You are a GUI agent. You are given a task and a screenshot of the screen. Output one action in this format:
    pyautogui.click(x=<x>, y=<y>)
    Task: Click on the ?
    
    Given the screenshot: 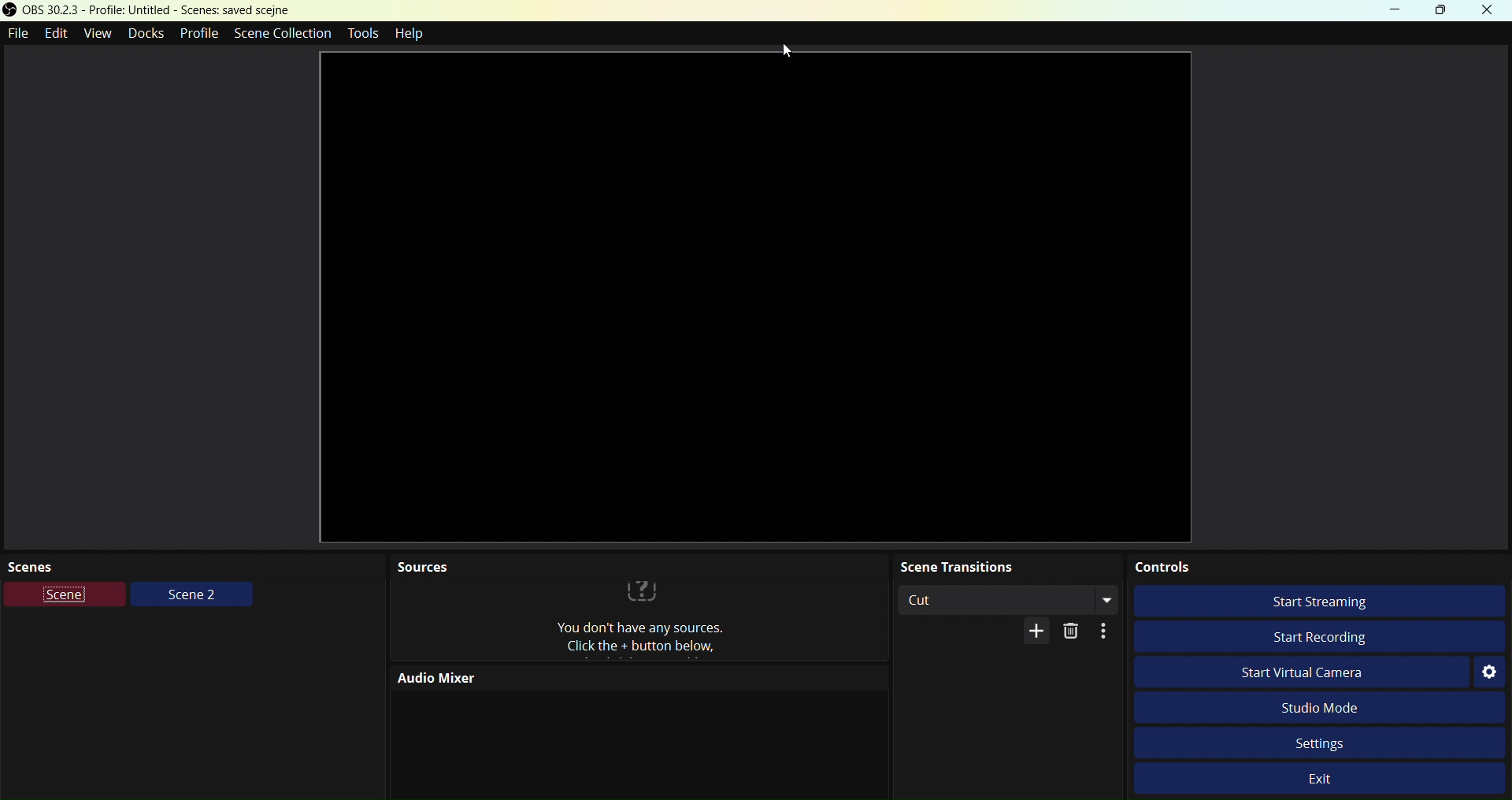 What is the action you would take?
    pyautogui.click(x=642, y=588)
    